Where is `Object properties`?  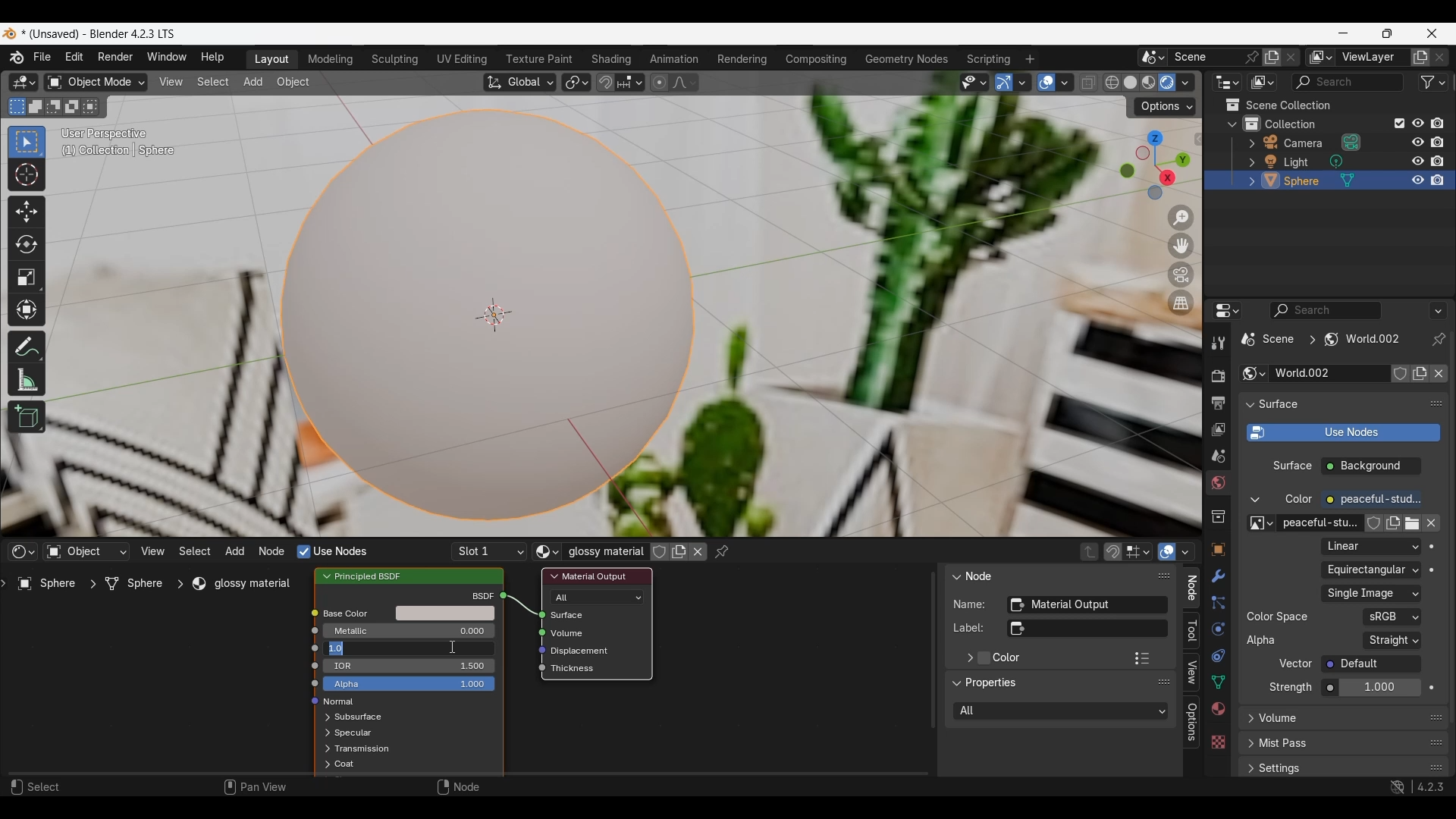
Object properties is located at coordinates (1217, 550).